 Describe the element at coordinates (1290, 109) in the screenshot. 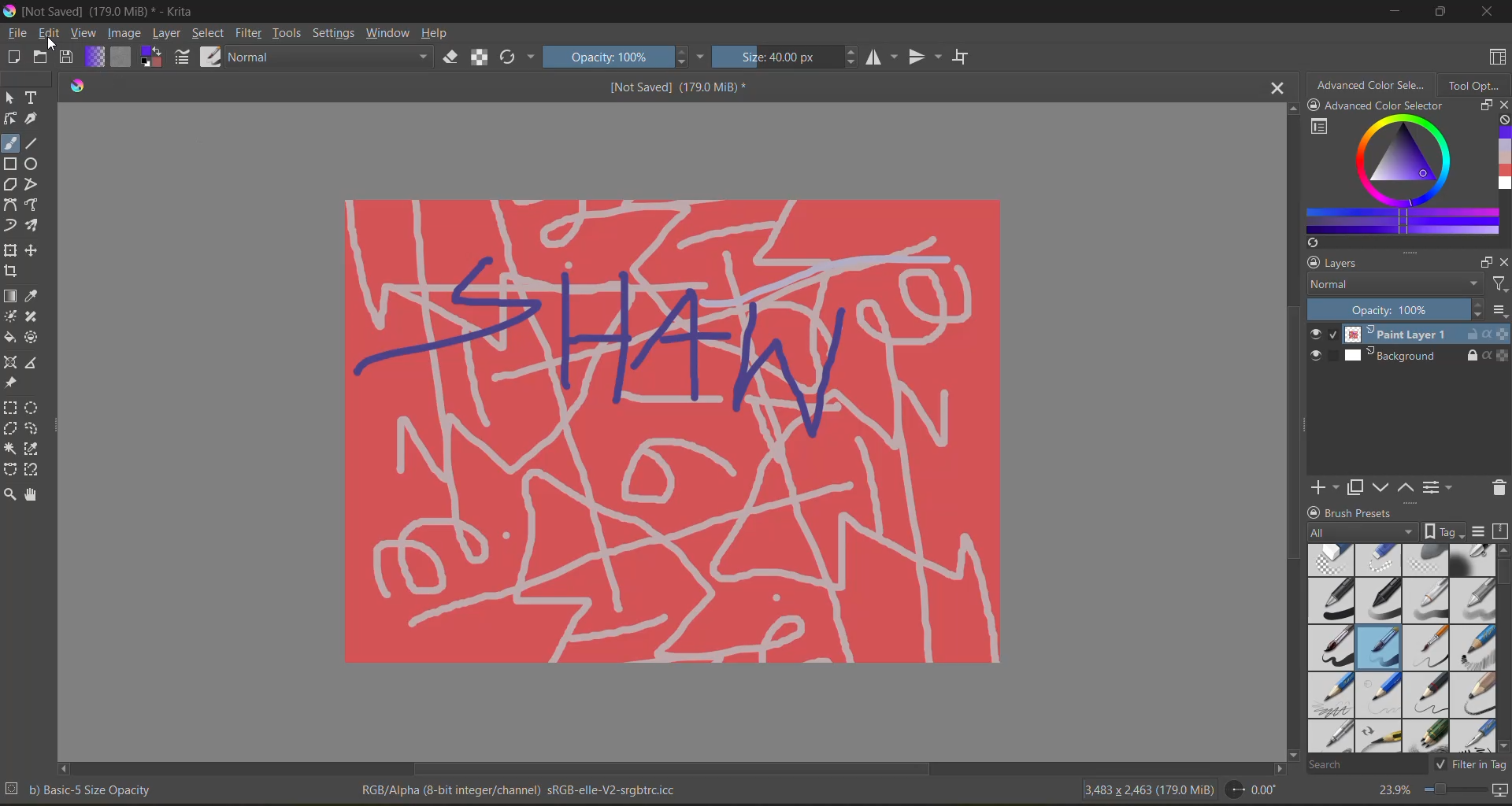

I see `scroll up` at that location.